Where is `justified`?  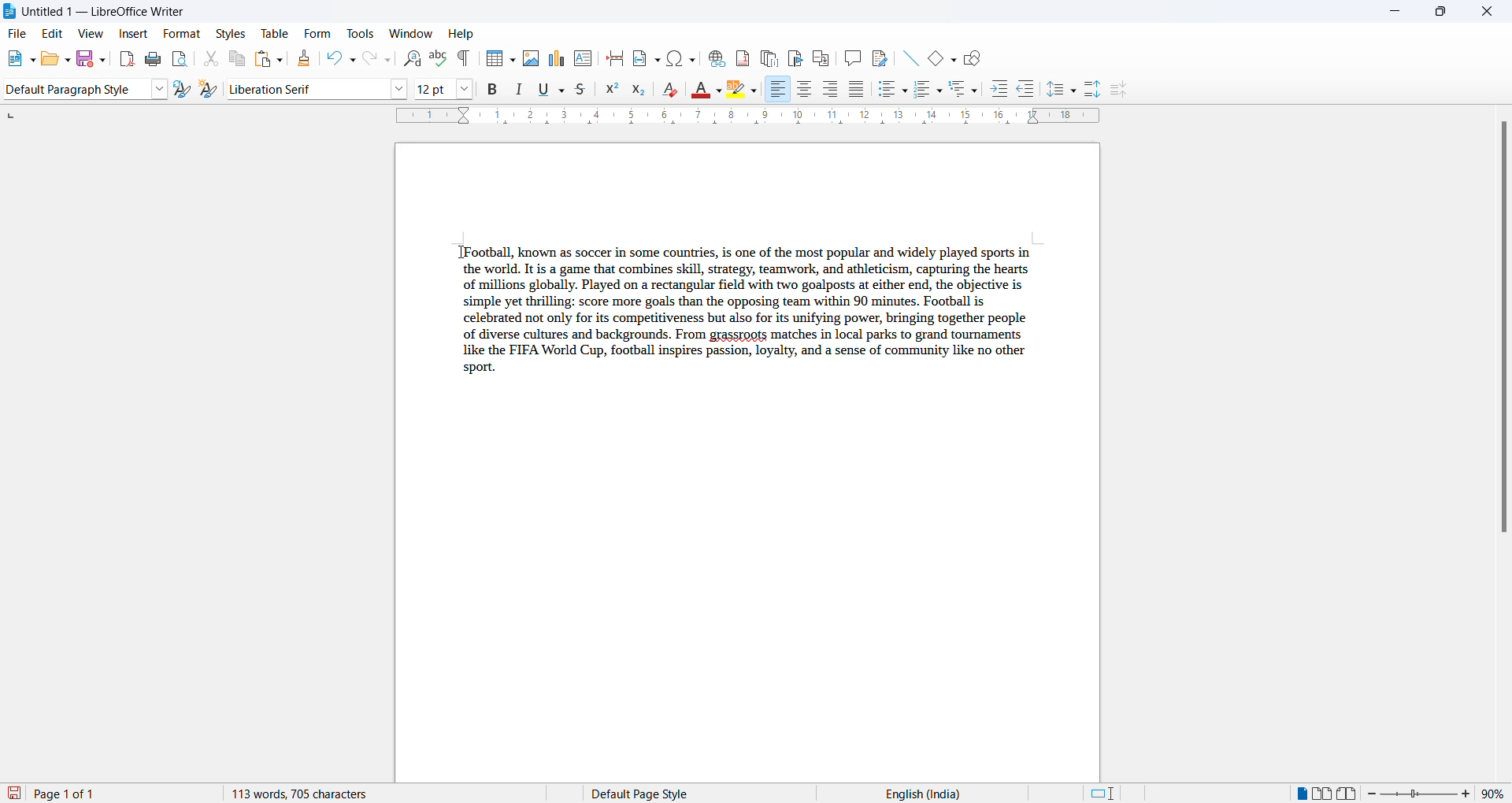 justified is located at coordinates (857, 88).